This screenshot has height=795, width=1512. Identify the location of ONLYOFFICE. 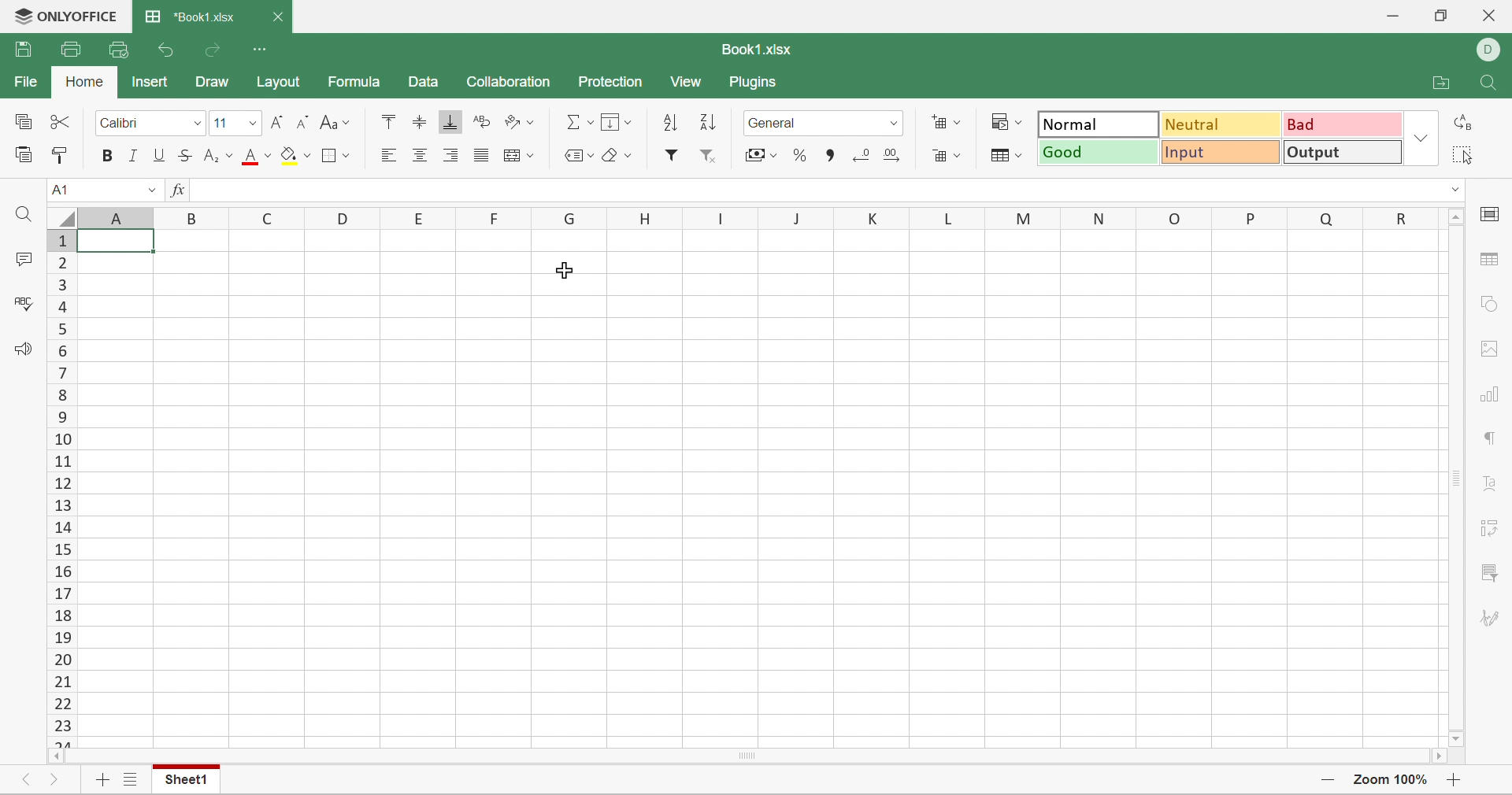
(65, 14).